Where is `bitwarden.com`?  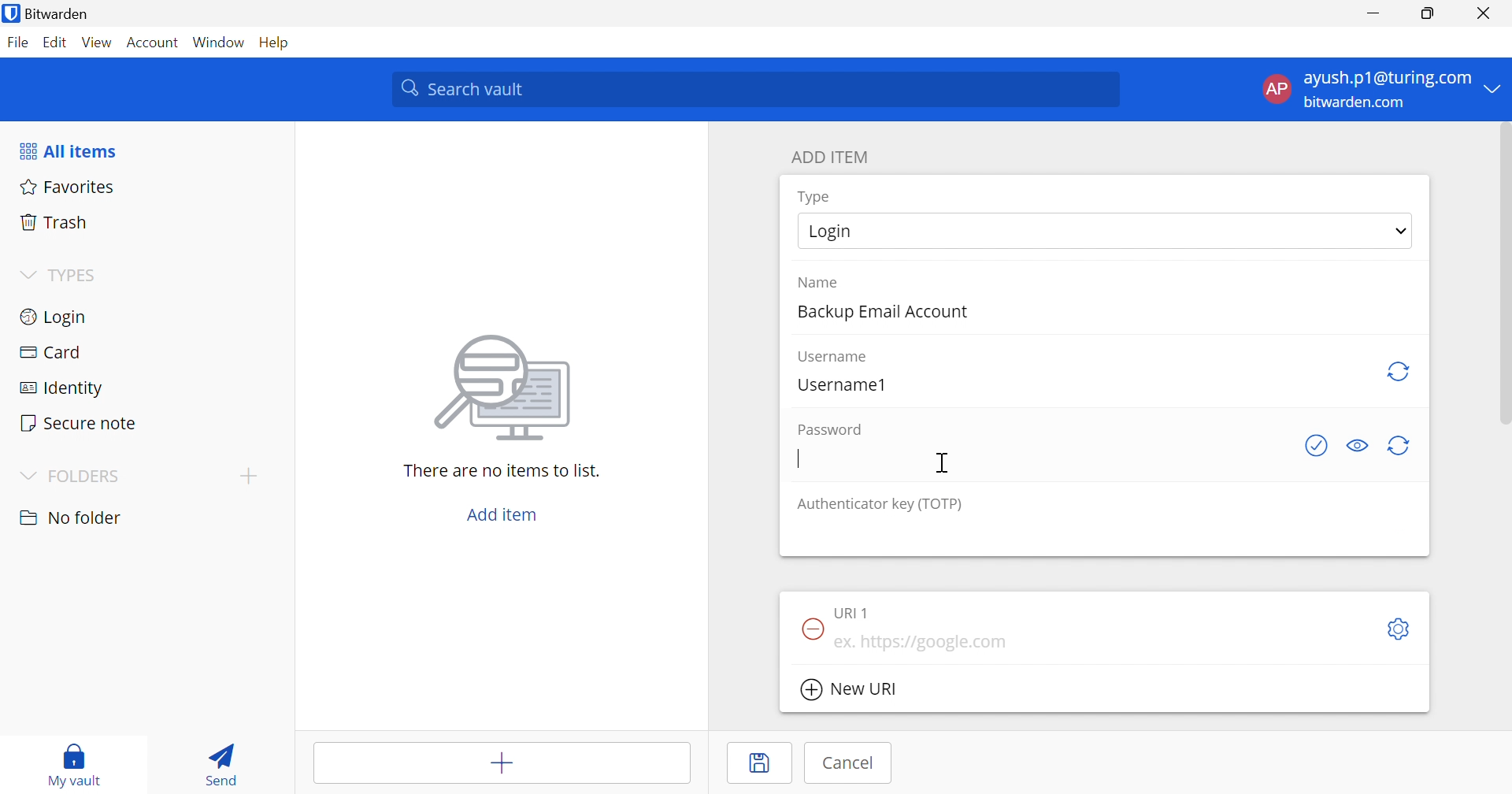
bitwarden.com is located at coordinates (1358, 103).